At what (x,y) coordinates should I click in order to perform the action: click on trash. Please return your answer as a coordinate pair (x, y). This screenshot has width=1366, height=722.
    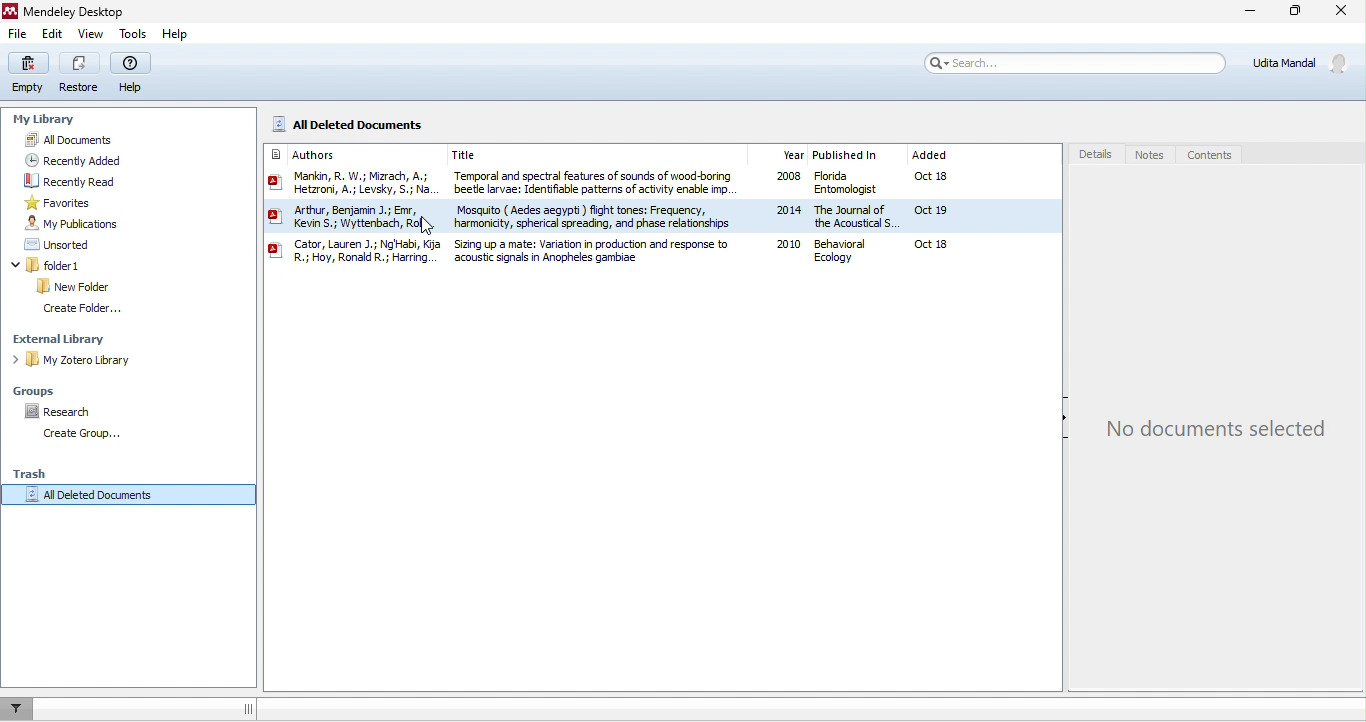
    Looking at the image, I should click on (40, 473).